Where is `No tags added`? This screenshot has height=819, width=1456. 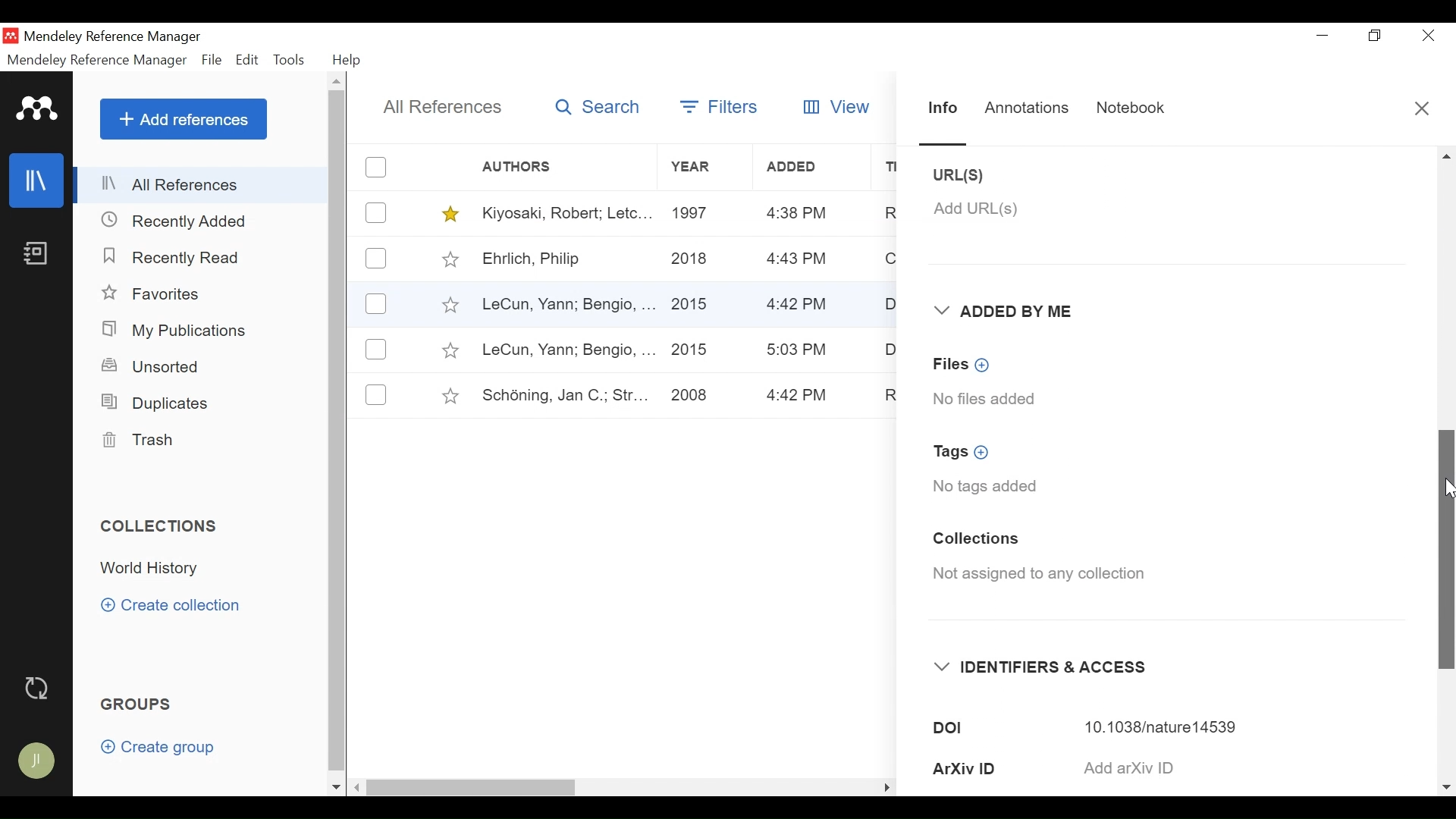
No tags added is located at coordinates (986, 488).